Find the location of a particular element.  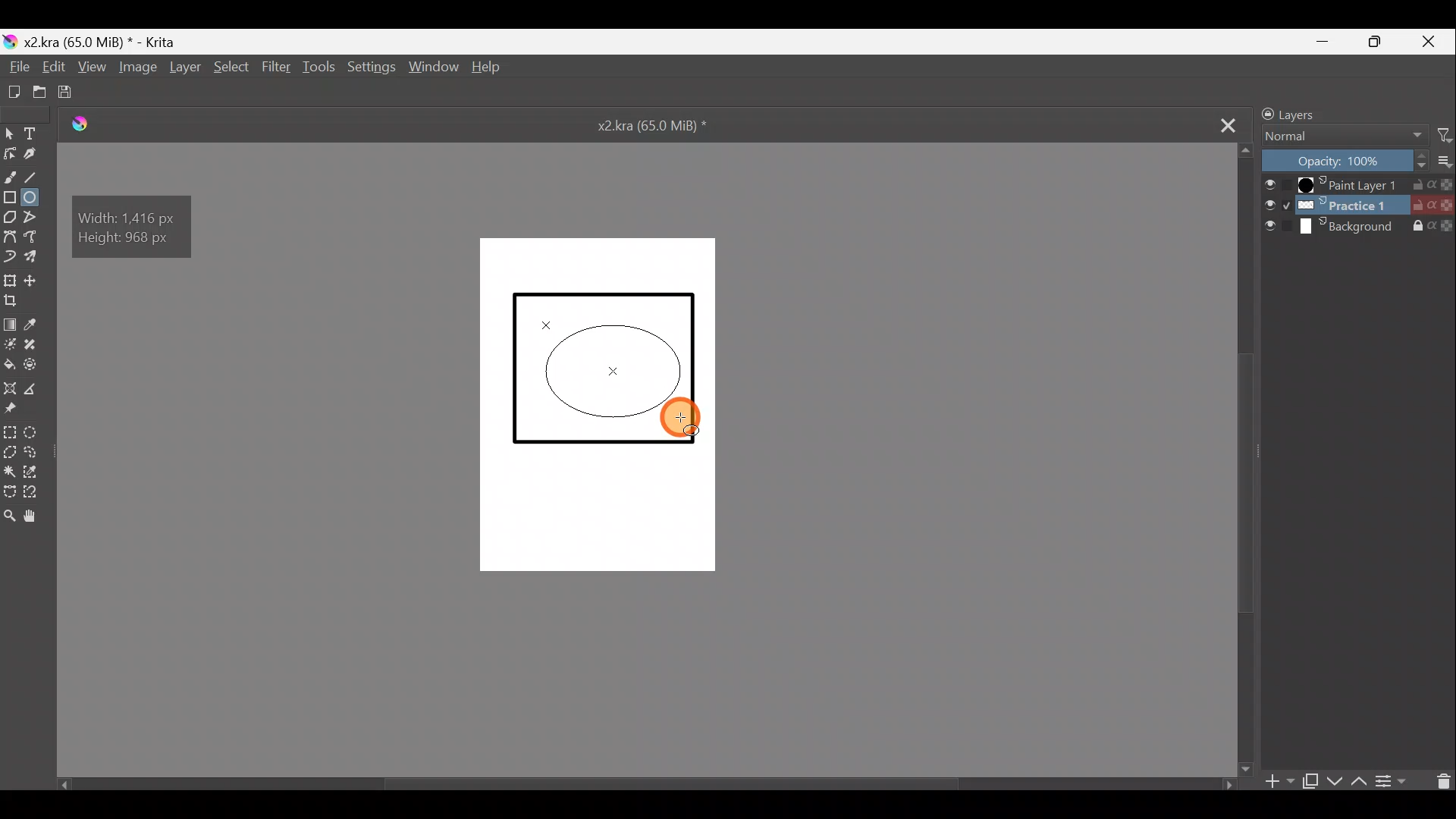

Similar colour selection tool is located at coordinates (34, 472).